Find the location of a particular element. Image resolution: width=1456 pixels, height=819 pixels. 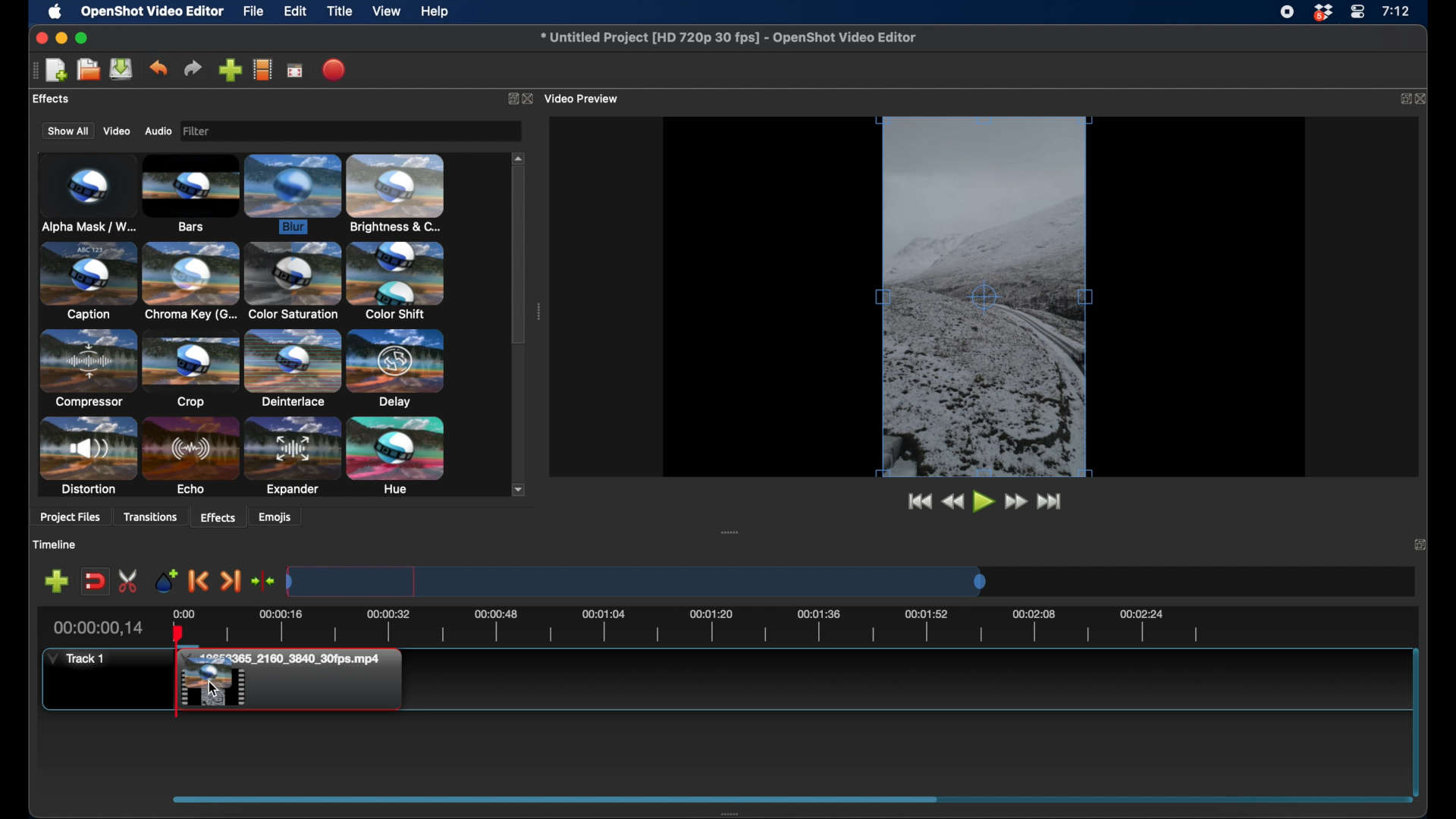

current time indicator is located at coordinates (99, 628).